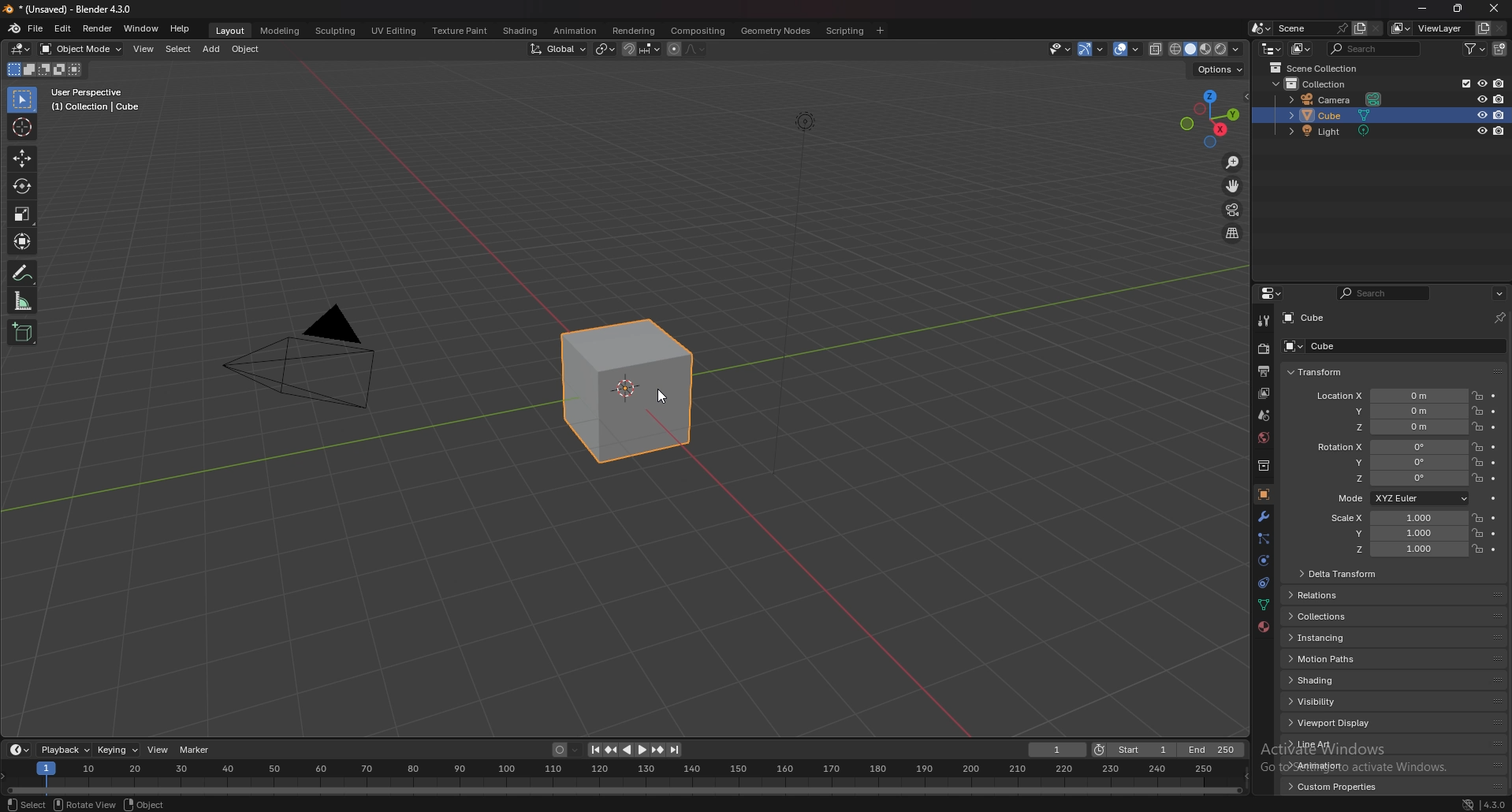  Describe the element at coordinates (1482, 115) in the screenshot. I see `hide in viewport` at that location.